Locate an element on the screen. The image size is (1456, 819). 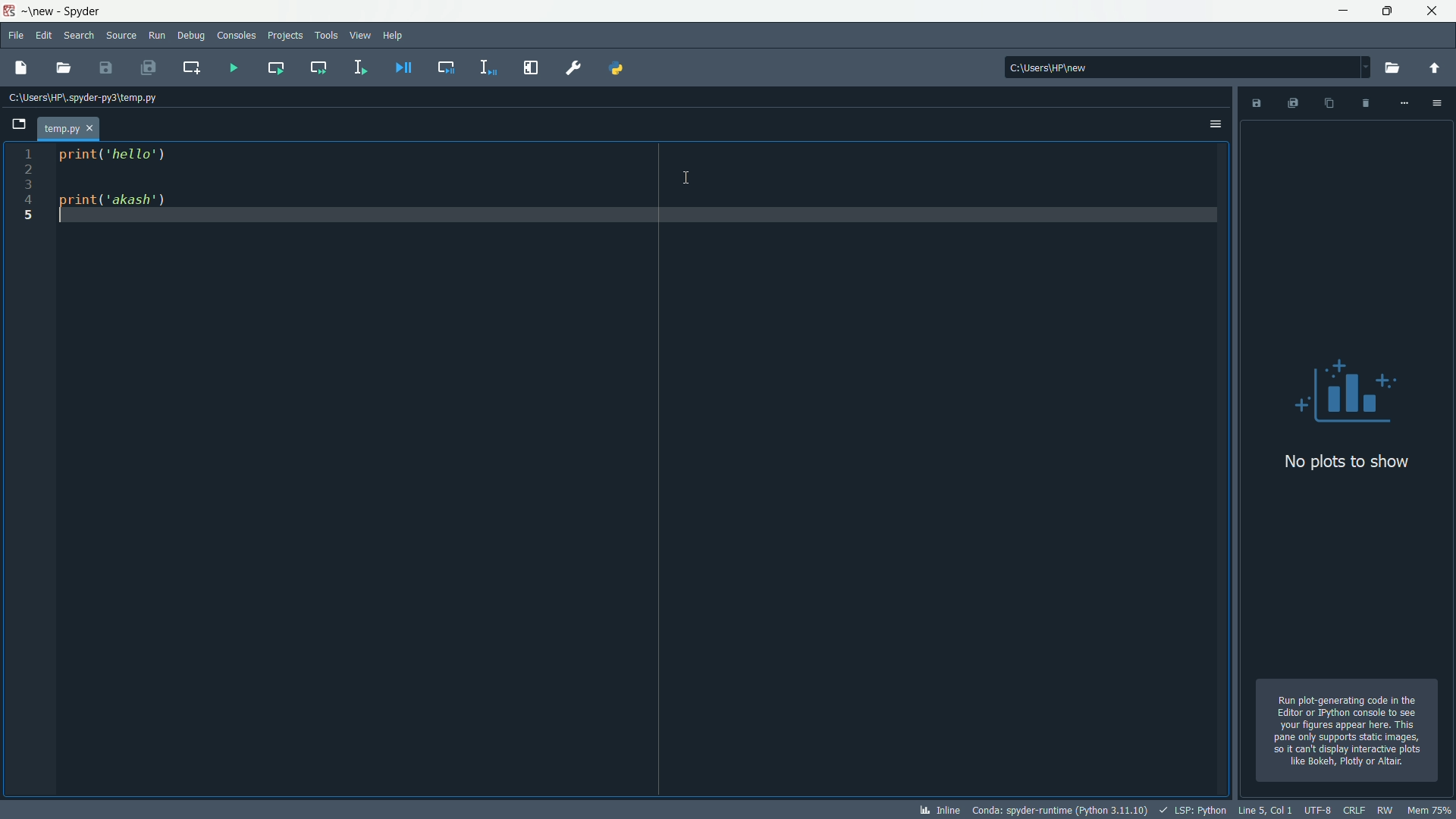
tools menu is located at coordinates (325, 34).